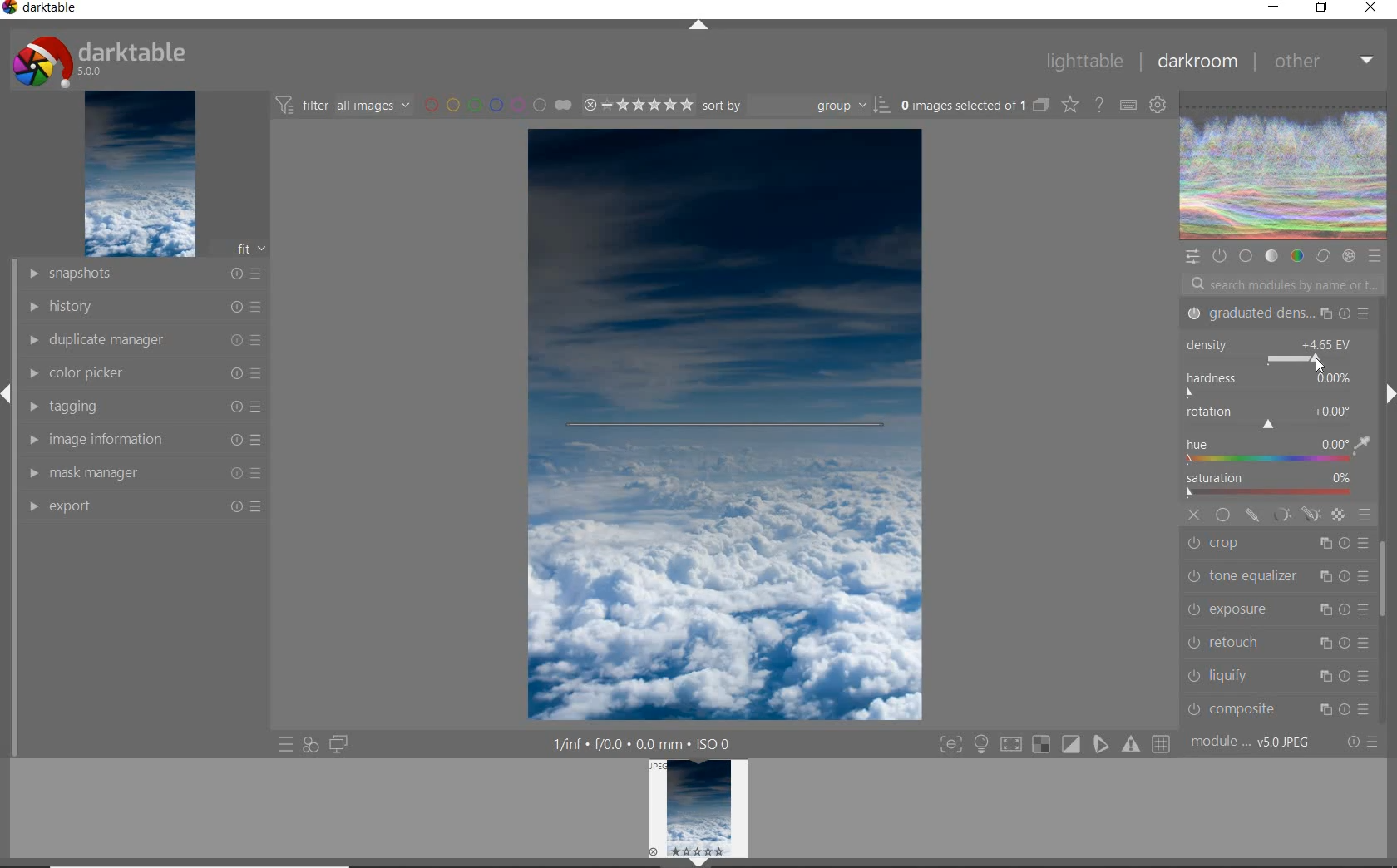 The height and width of the screenshot is (868, 1397). Describe the element at coordinates (285, 745) in the screenshot. I see `QUICK ACCESS TO PRESET` at that location.